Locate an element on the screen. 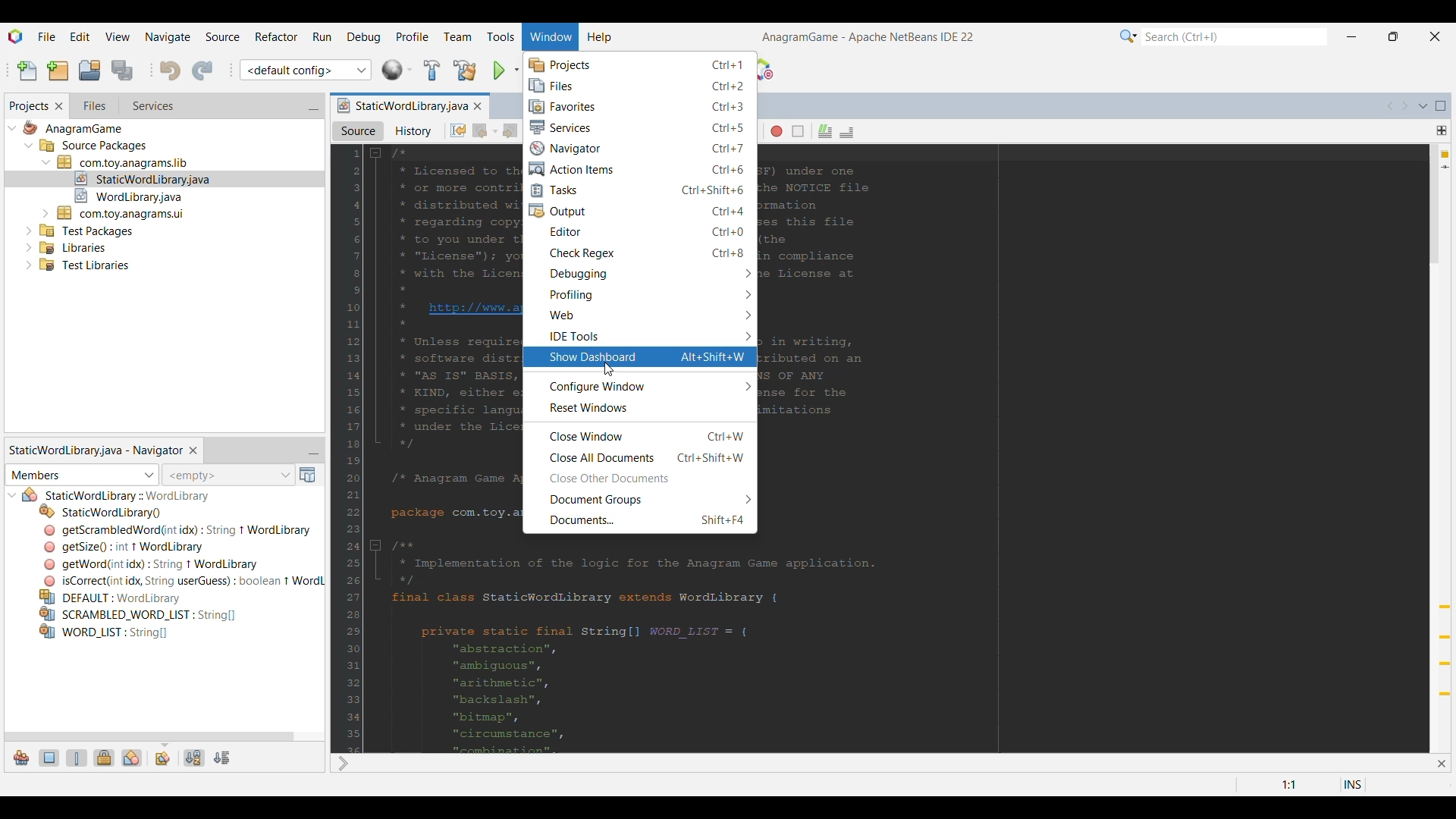  Minimize window group is located at coordinates (313, 451).